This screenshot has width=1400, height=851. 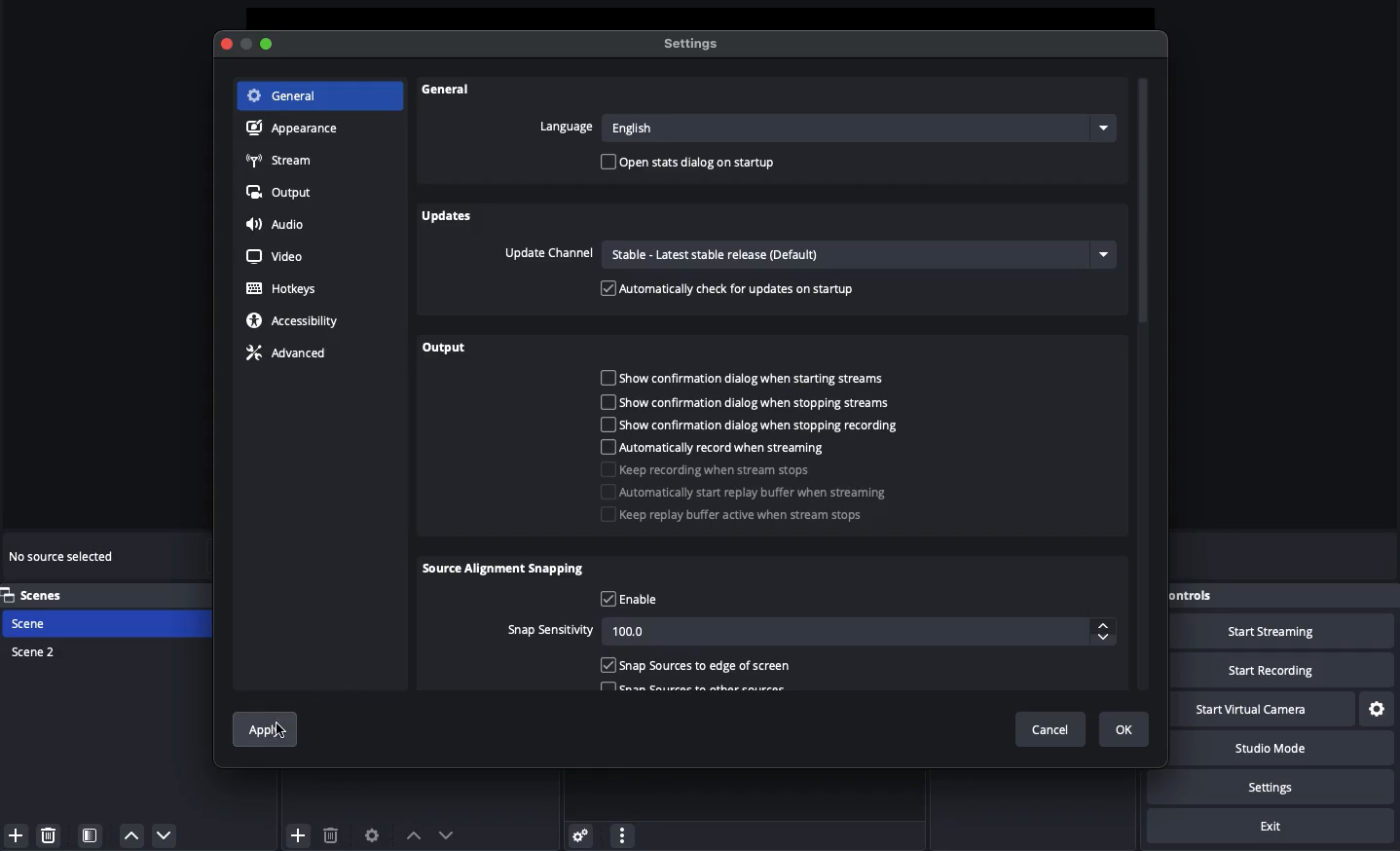 What do you see at coordinates (294, 321) in the screenshot?
I see `Accessibility ` at bounding box center [294, 321].